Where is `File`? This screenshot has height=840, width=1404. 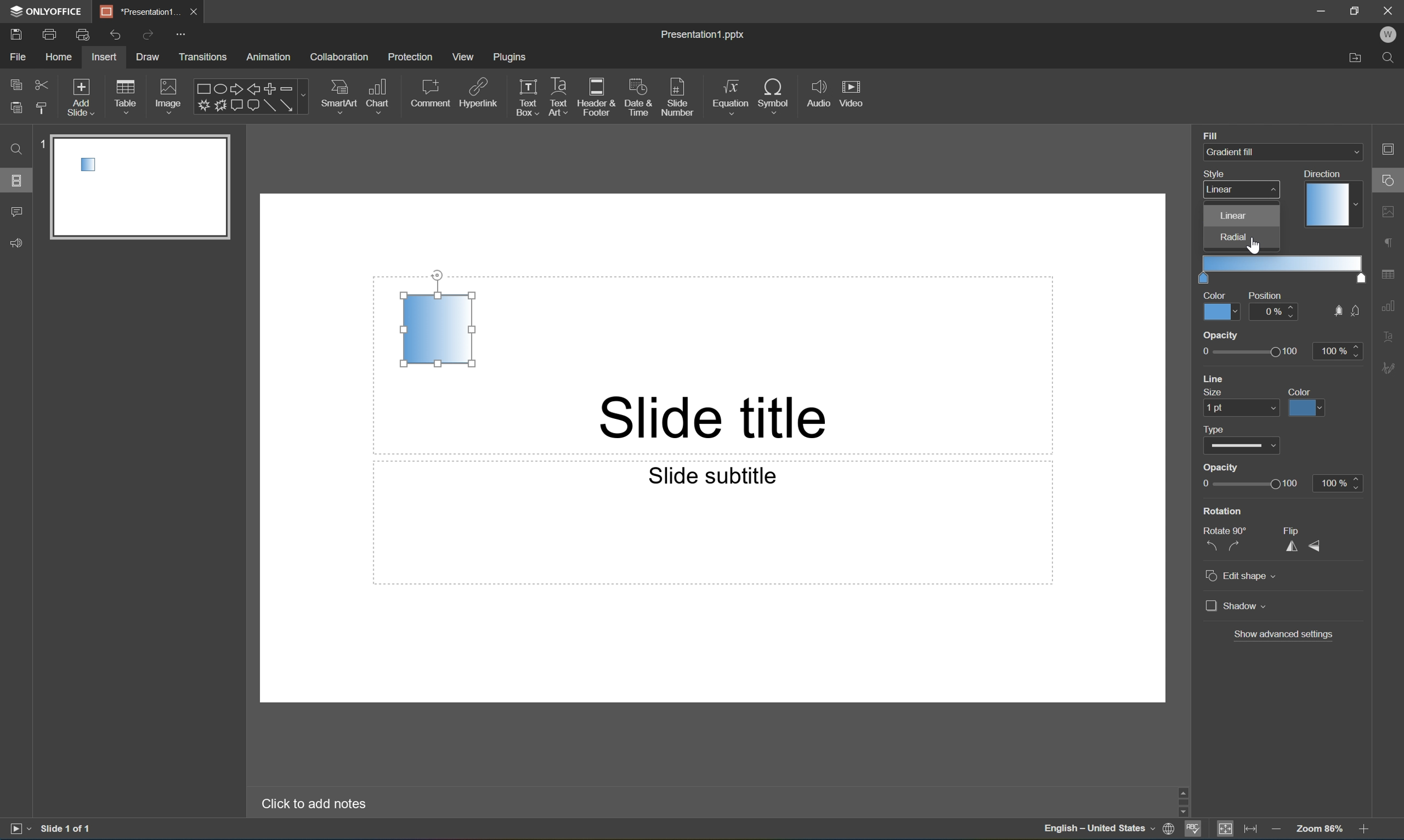 File is located at coordinates (18, 57).